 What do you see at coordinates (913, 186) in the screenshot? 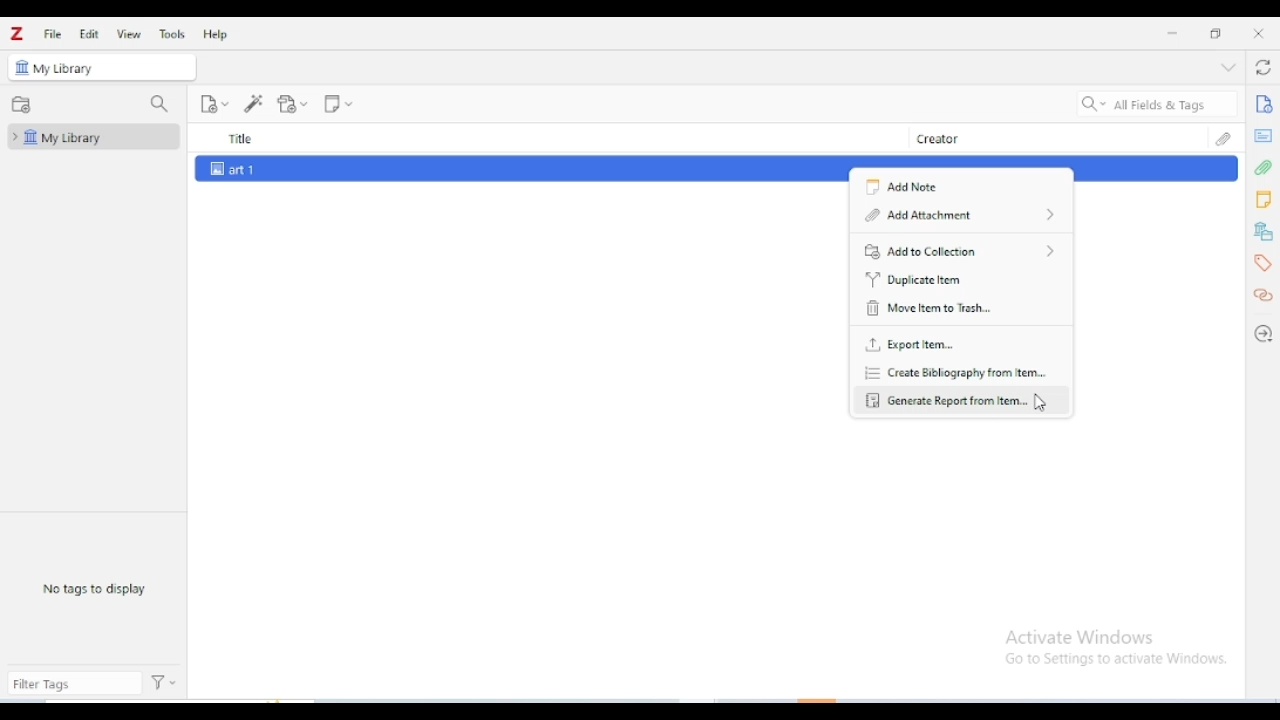
I see `add note` at bounding box center [913, 186].